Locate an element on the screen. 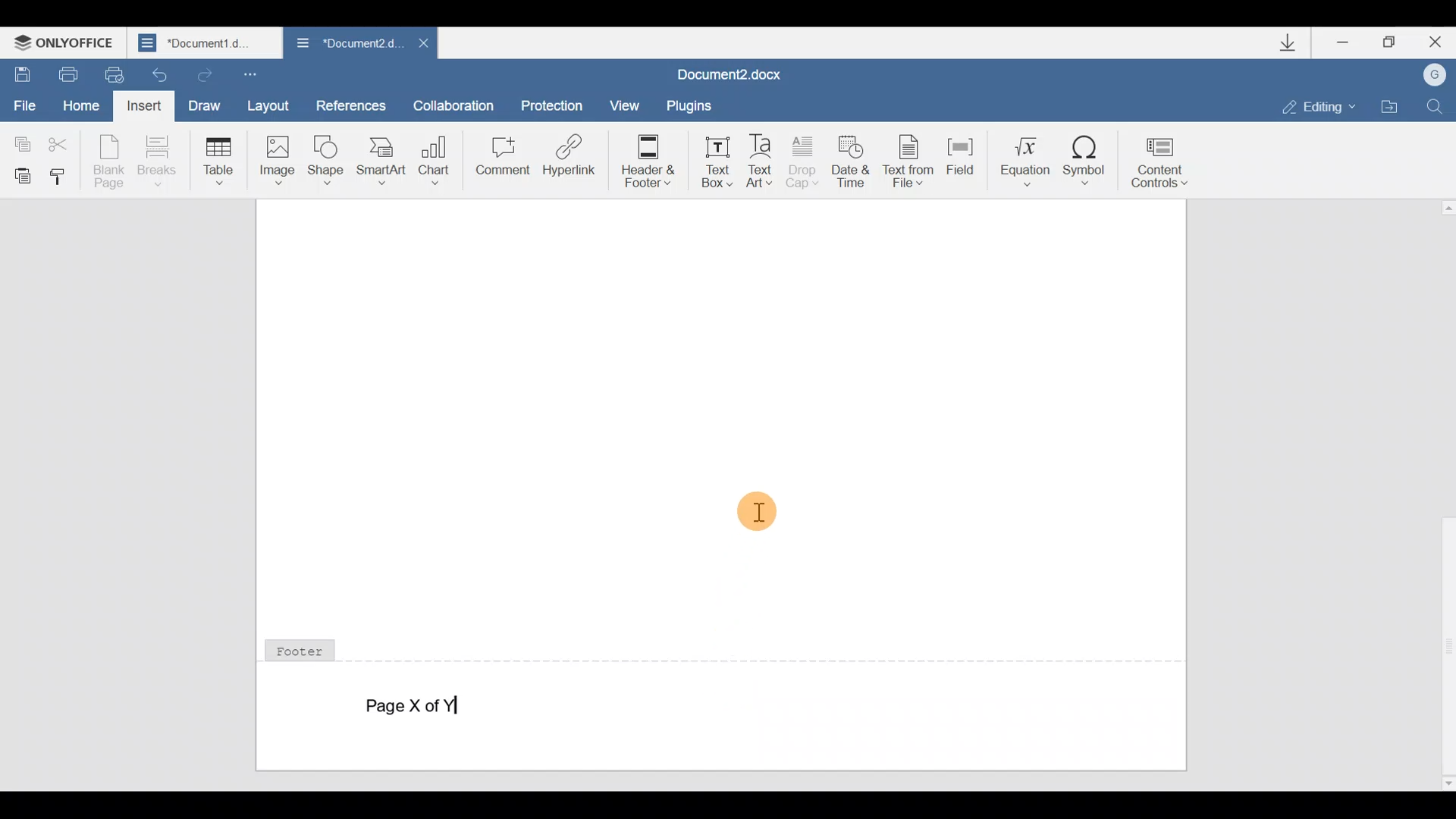 This screenshot has width=1456, height=819. Insert is located at coordinates (145, 106).